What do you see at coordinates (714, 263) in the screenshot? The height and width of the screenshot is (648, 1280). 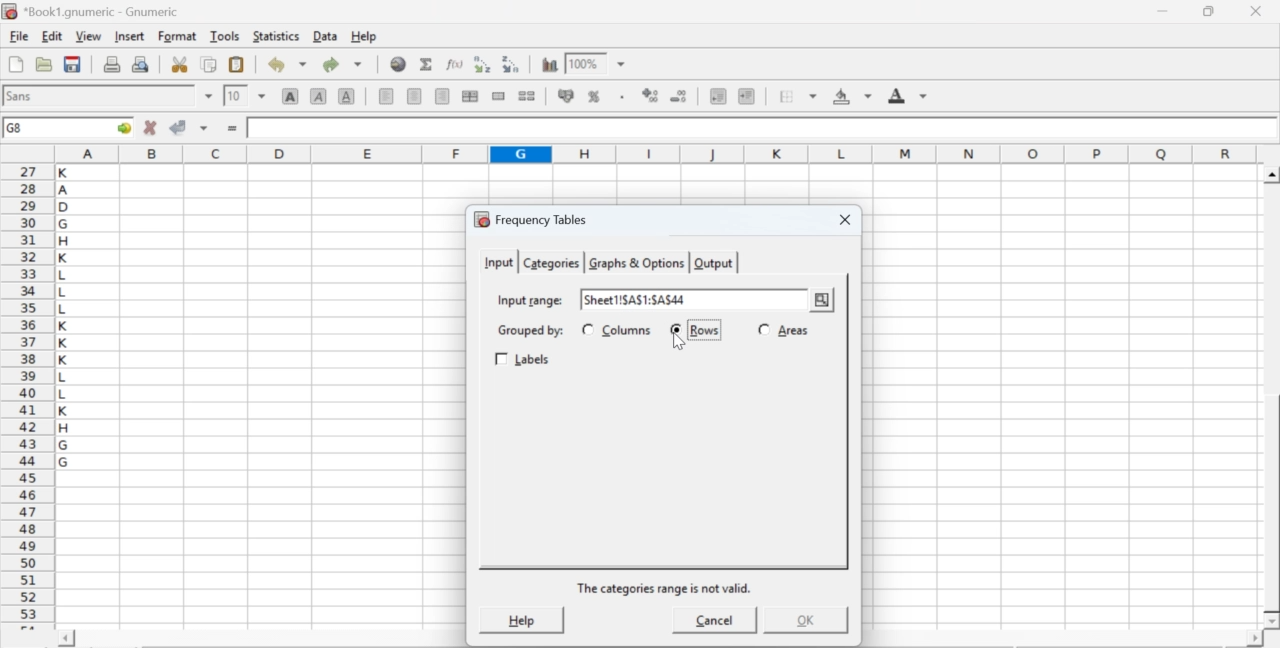 I see `output` at bounding box center [714, 263].